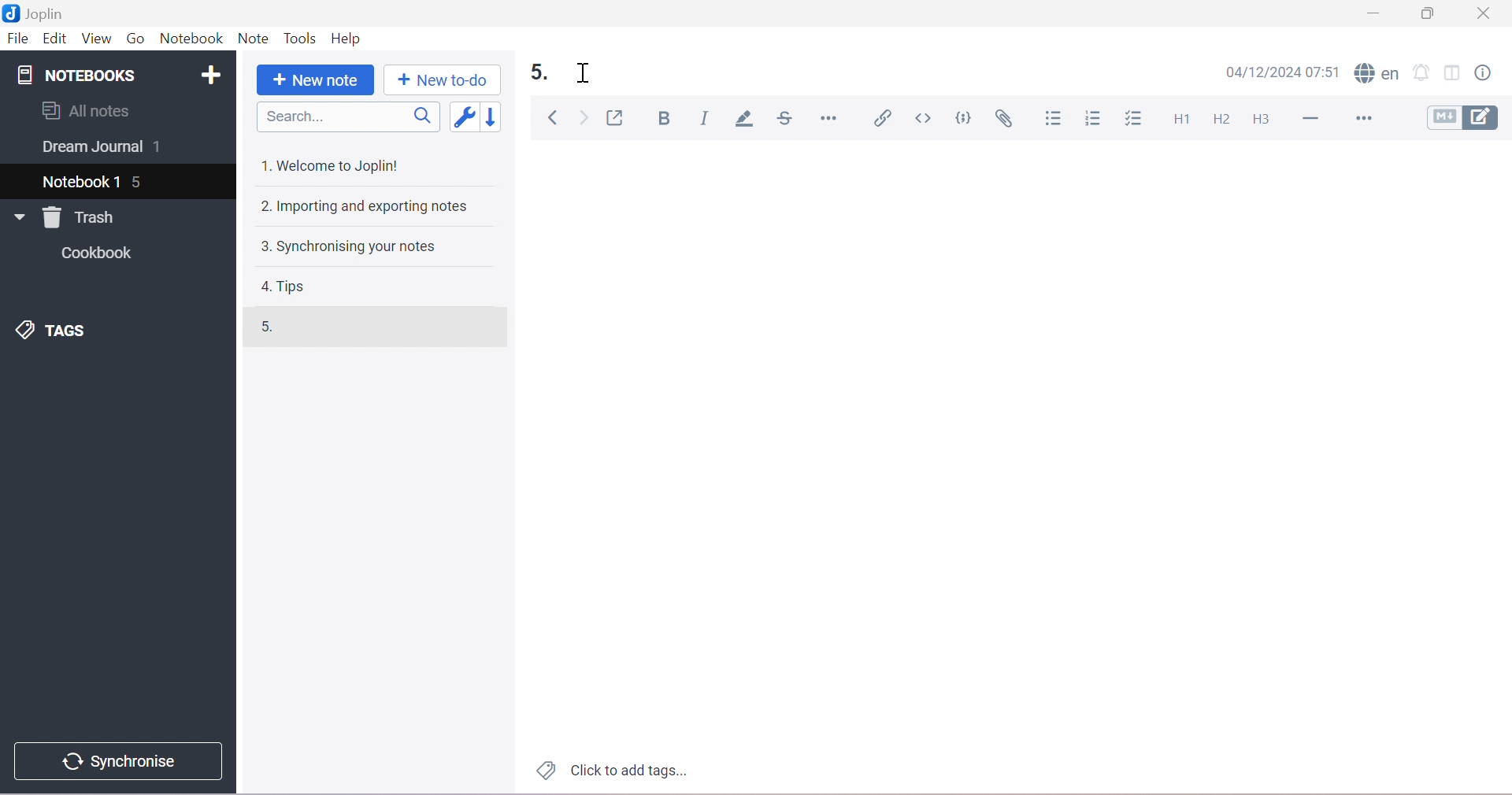  I want to click on Bold, so click(669, 120).